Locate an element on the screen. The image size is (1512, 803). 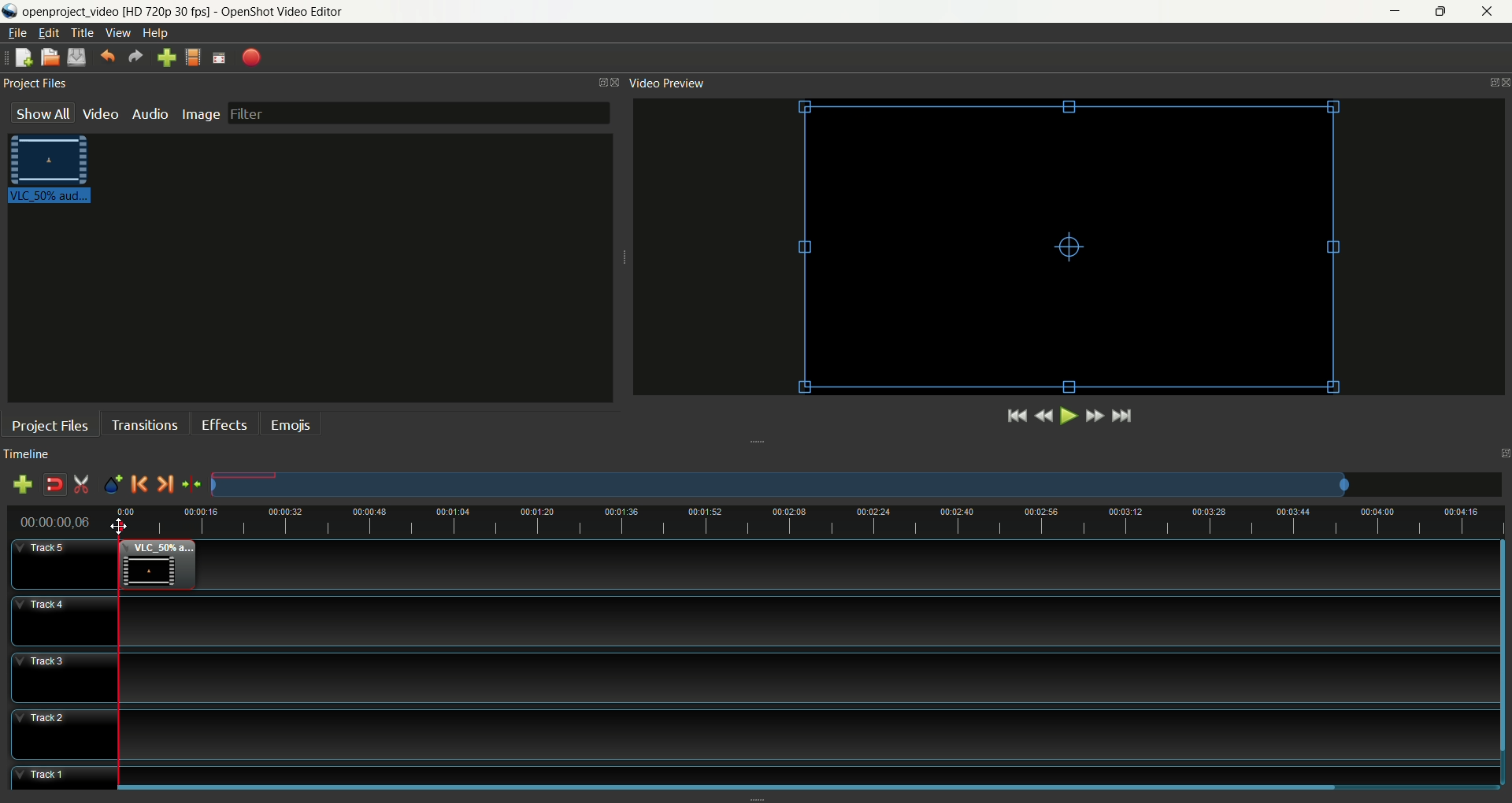
save project is located at coordinates (76, 57).